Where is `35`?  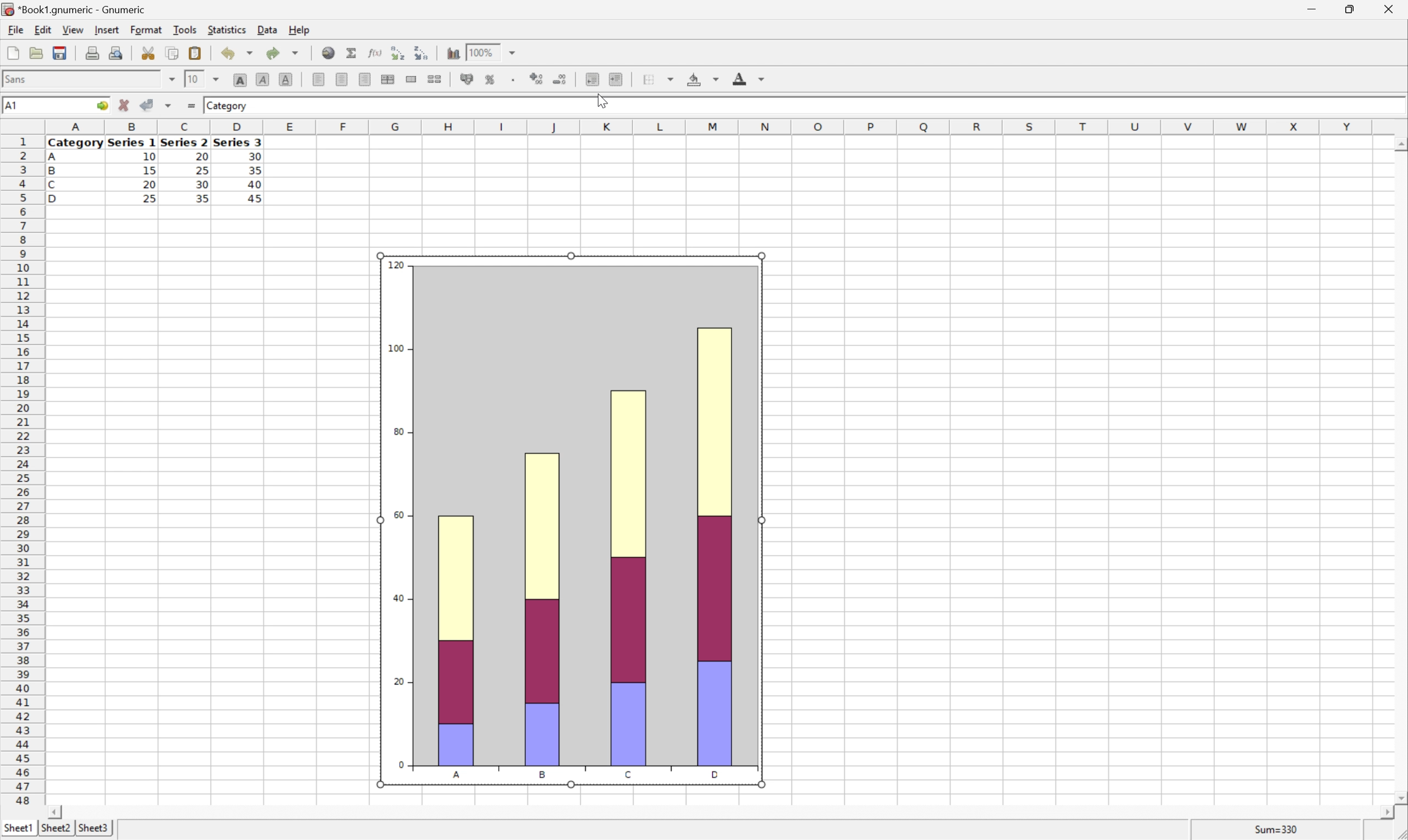
35 is located at coordinates (255, 170).